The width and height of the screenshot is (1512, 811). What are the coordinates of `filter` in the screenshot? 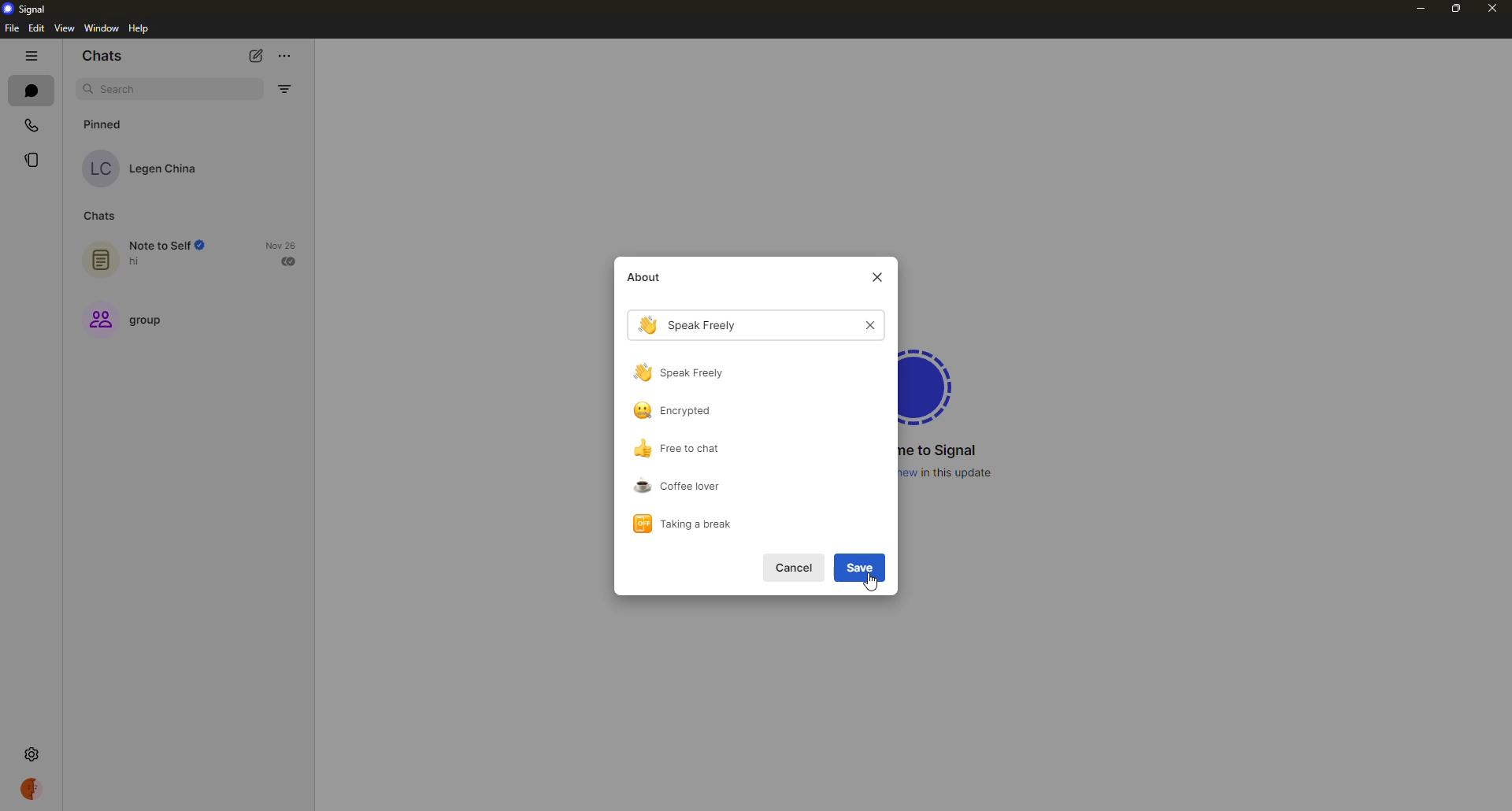 It's located at (283, 89).